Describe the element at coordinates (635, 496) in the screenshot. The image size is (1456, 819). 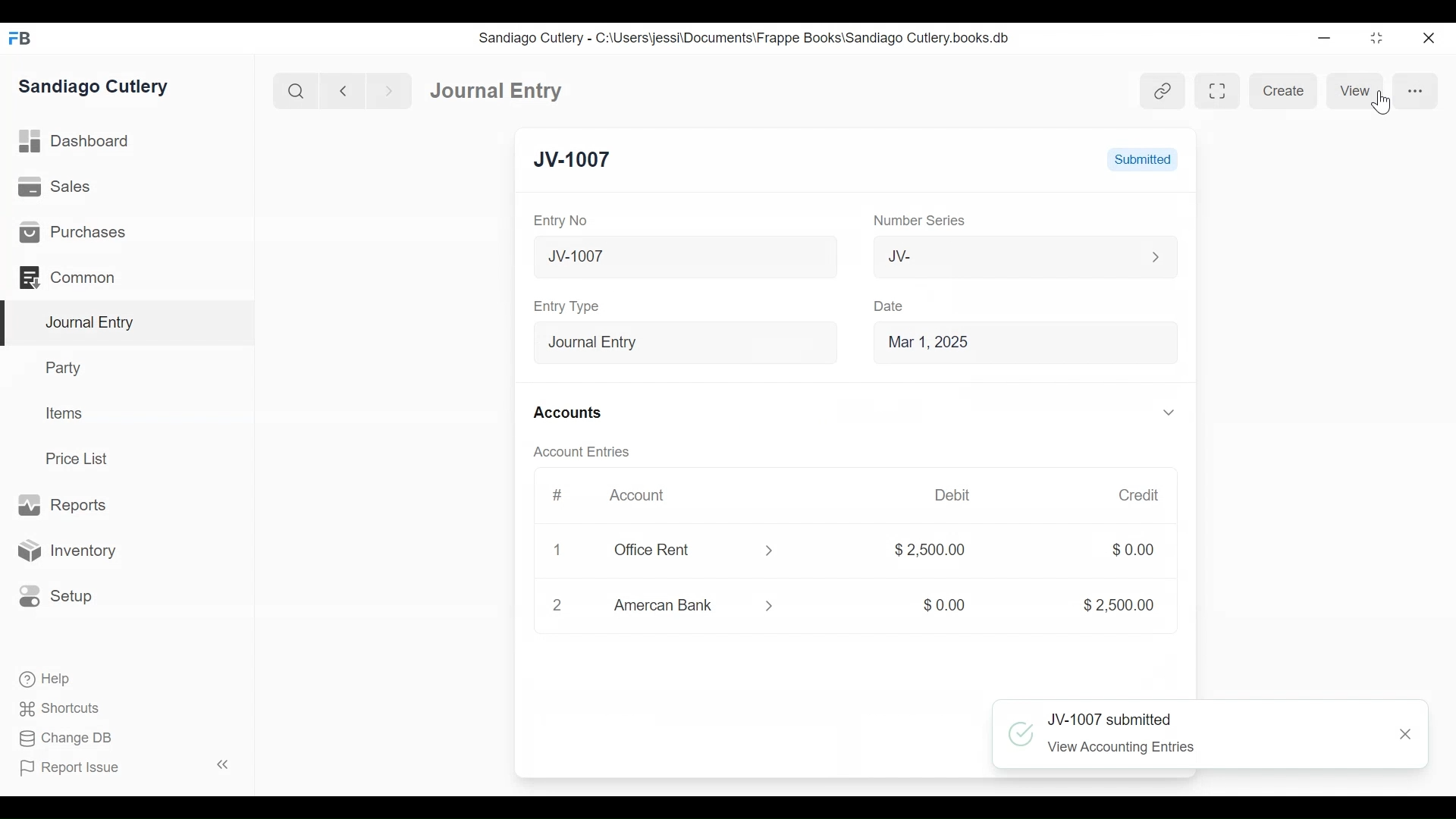
I see `Account` at that location.